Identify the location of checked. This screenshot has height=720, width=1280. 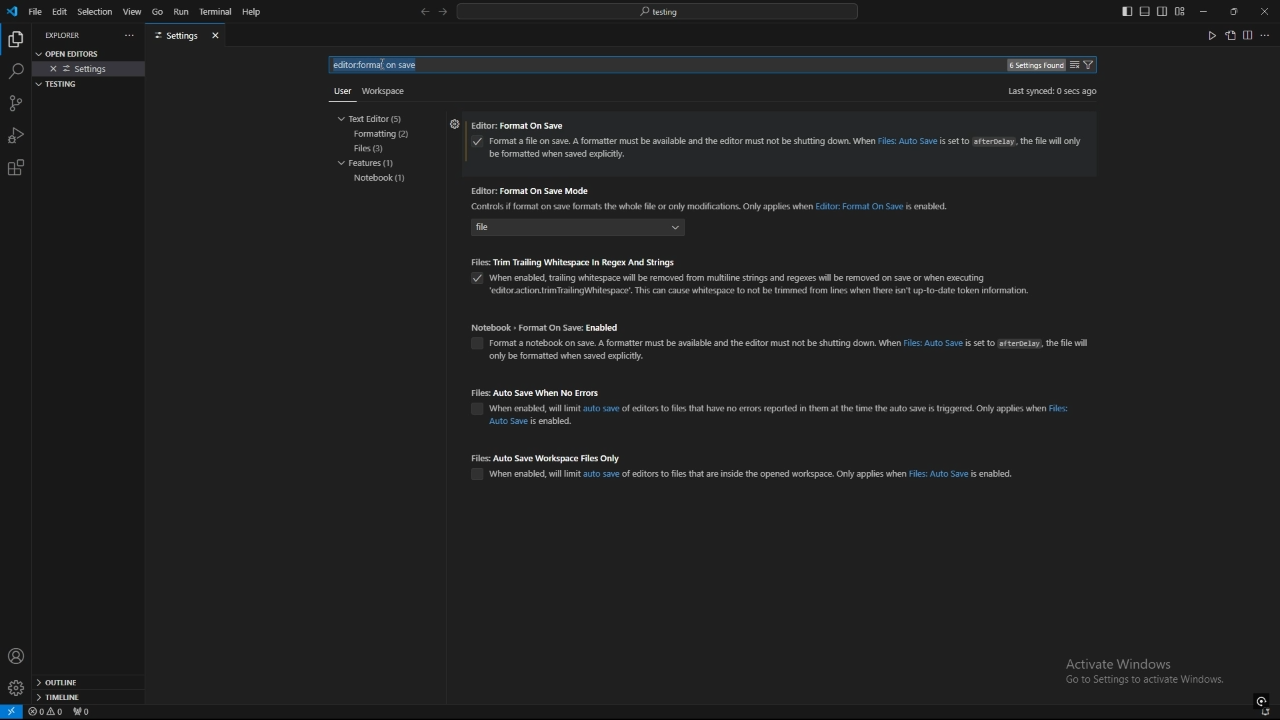
(478, 143).